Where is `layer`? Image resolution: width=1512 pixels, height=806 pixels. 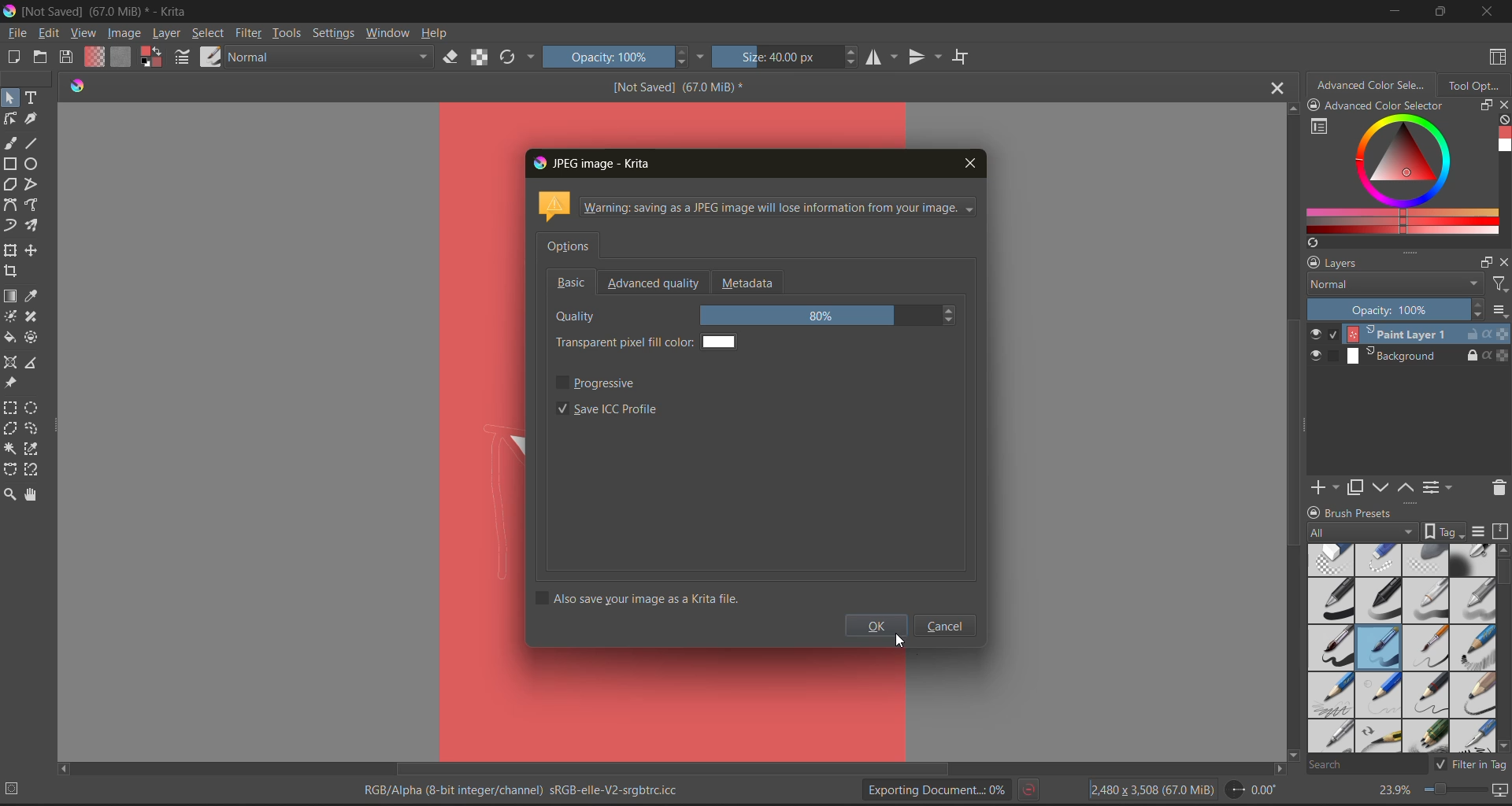
layer is located at coordinates (1407, 355).